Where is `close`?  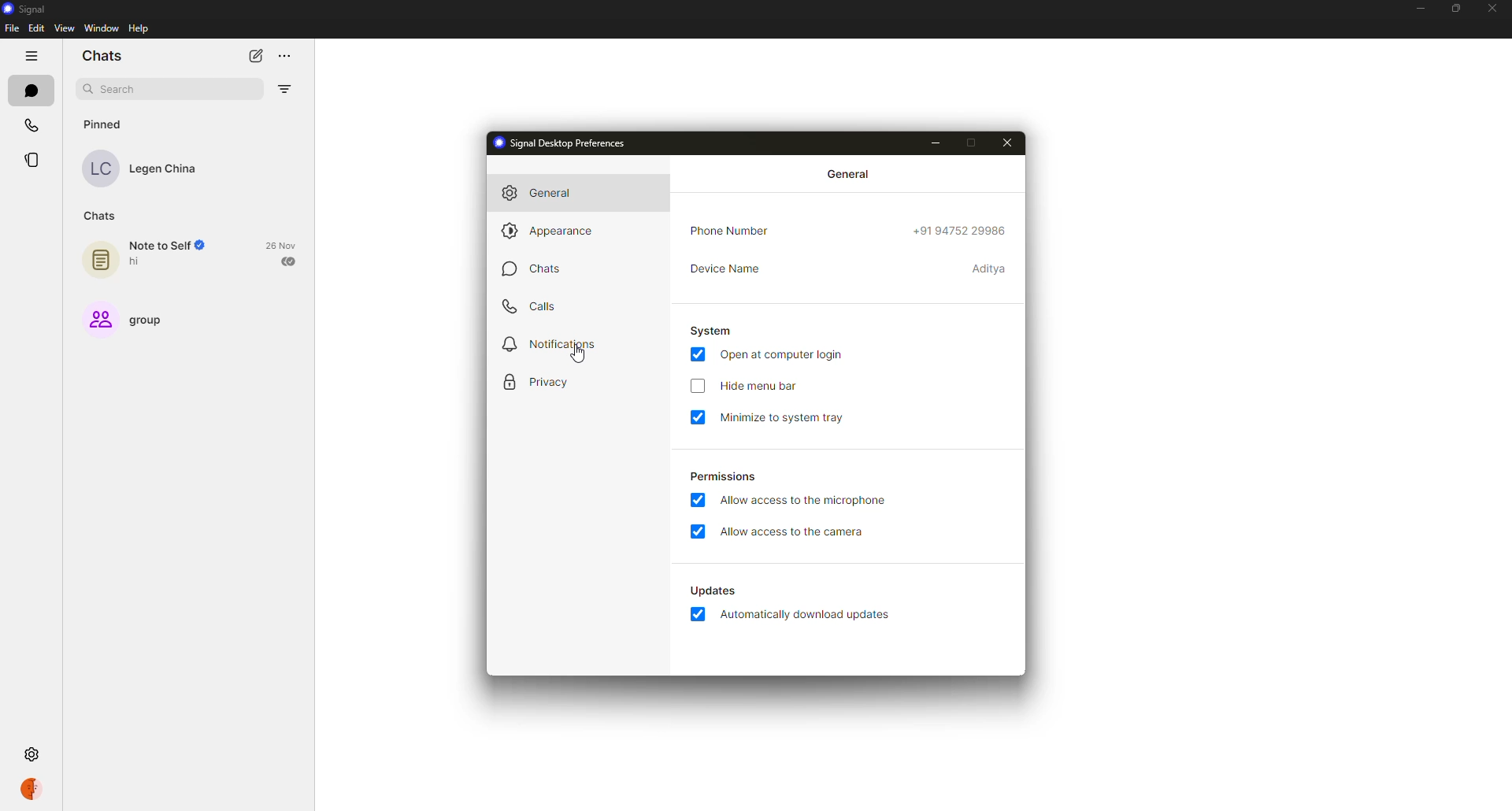
close is located at coordinates (1495, 6).